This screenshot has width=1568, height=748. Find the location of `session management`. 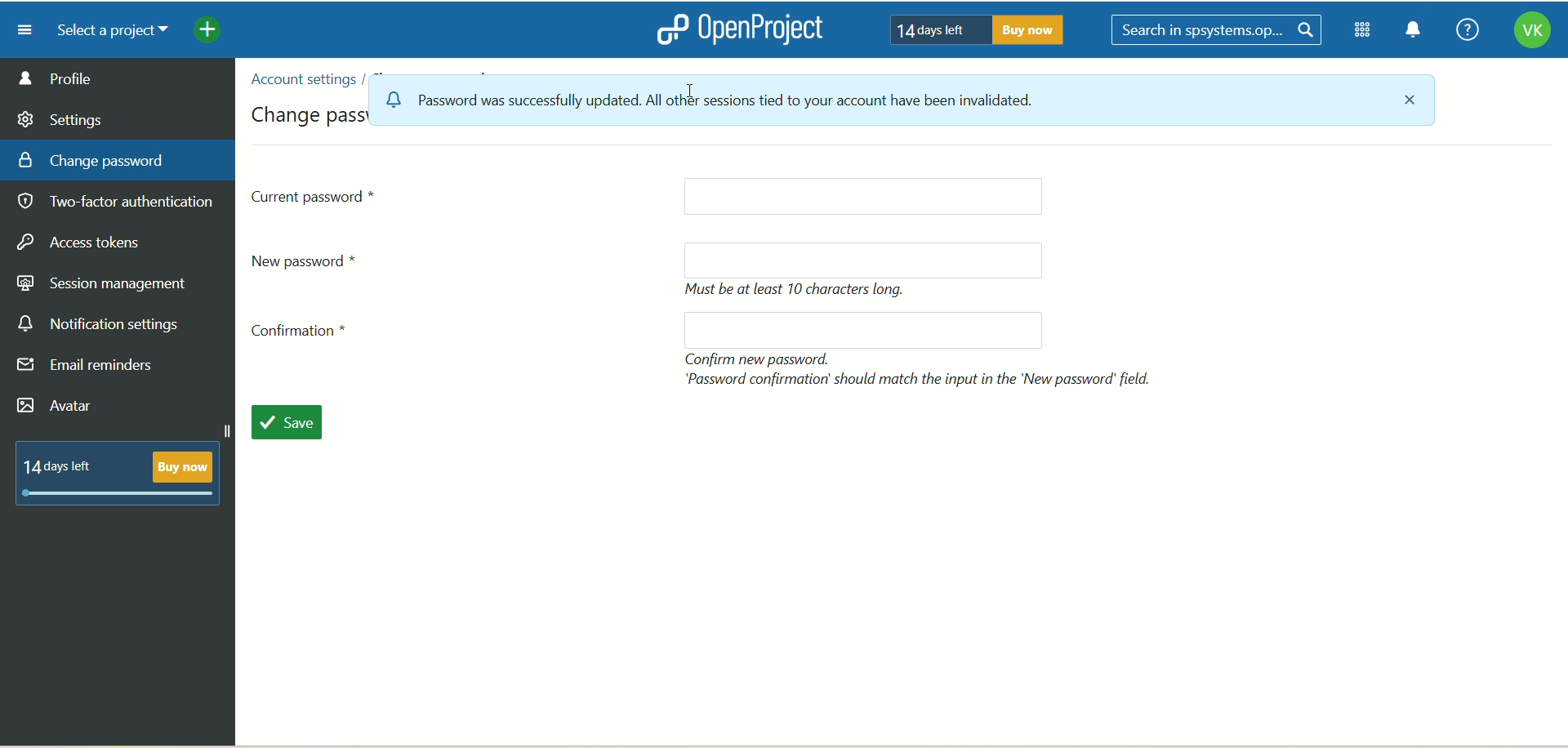

session management is located at coordinates (104, 281).